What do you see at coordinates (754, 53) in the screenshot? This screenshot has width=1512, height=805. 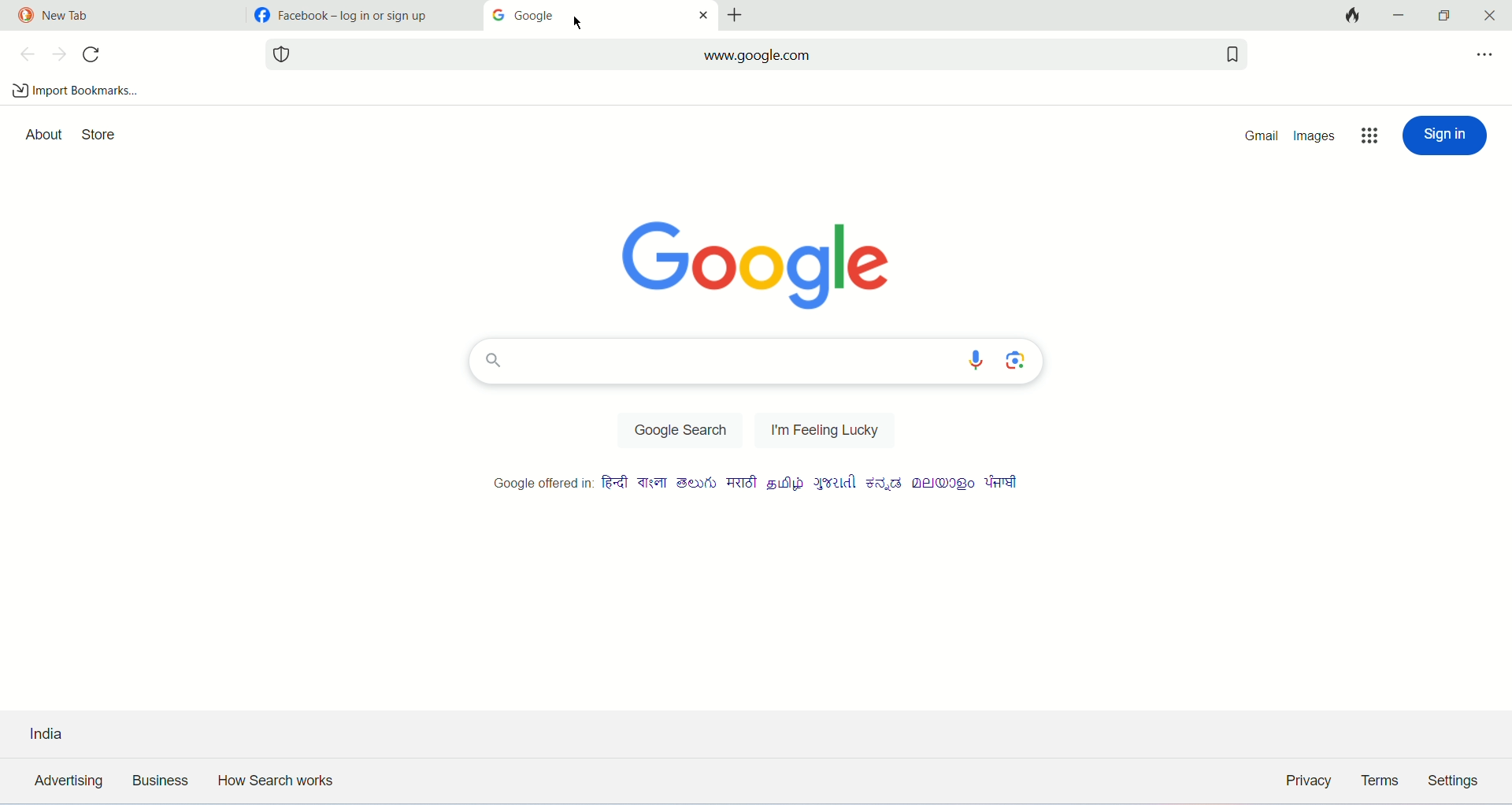 I see `search` at bounding box center [754, 53].